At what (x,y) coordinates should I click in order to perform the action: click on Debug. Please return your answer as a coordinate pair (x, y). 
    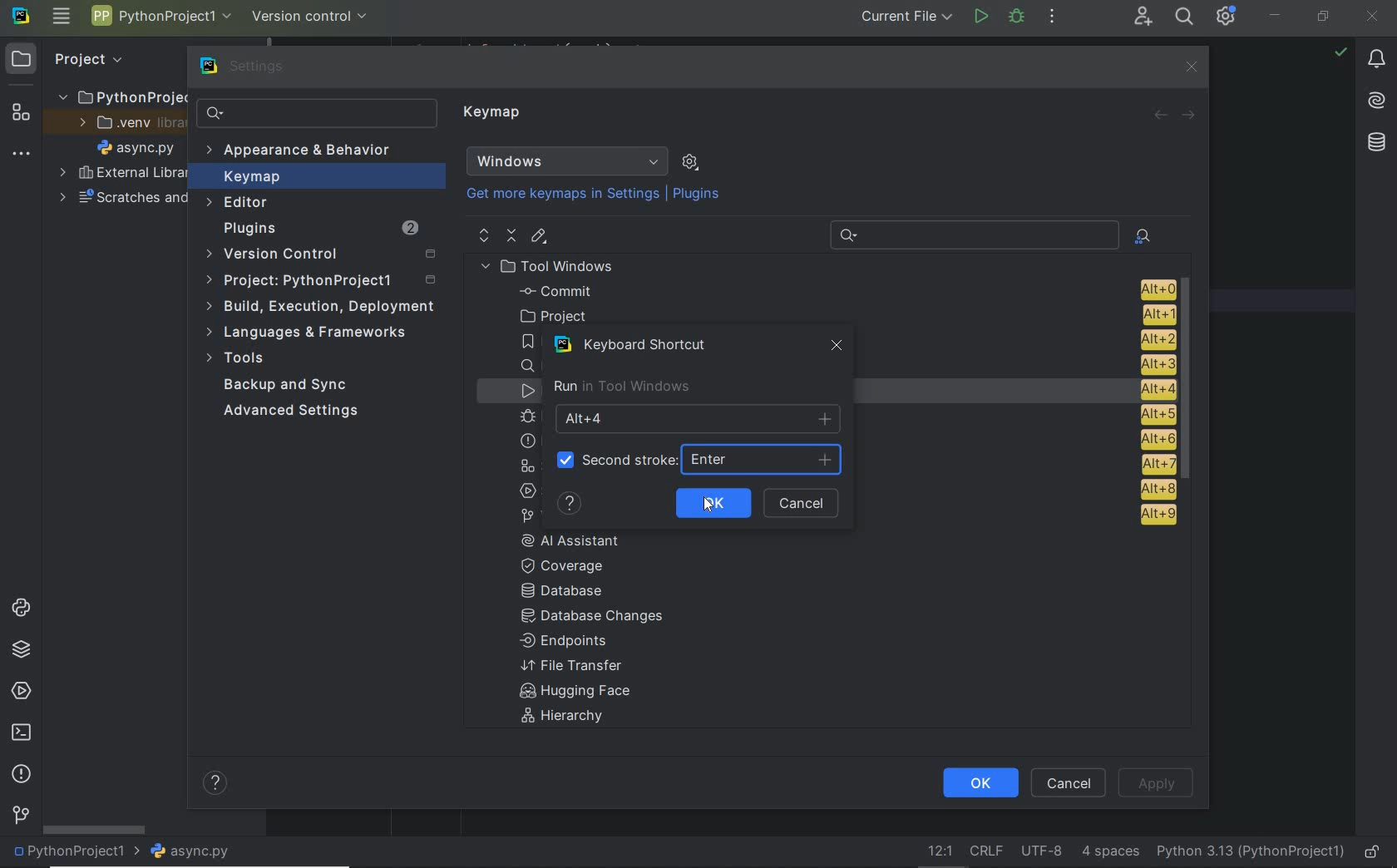
    Looking at the image, I should click on (1017, 17).